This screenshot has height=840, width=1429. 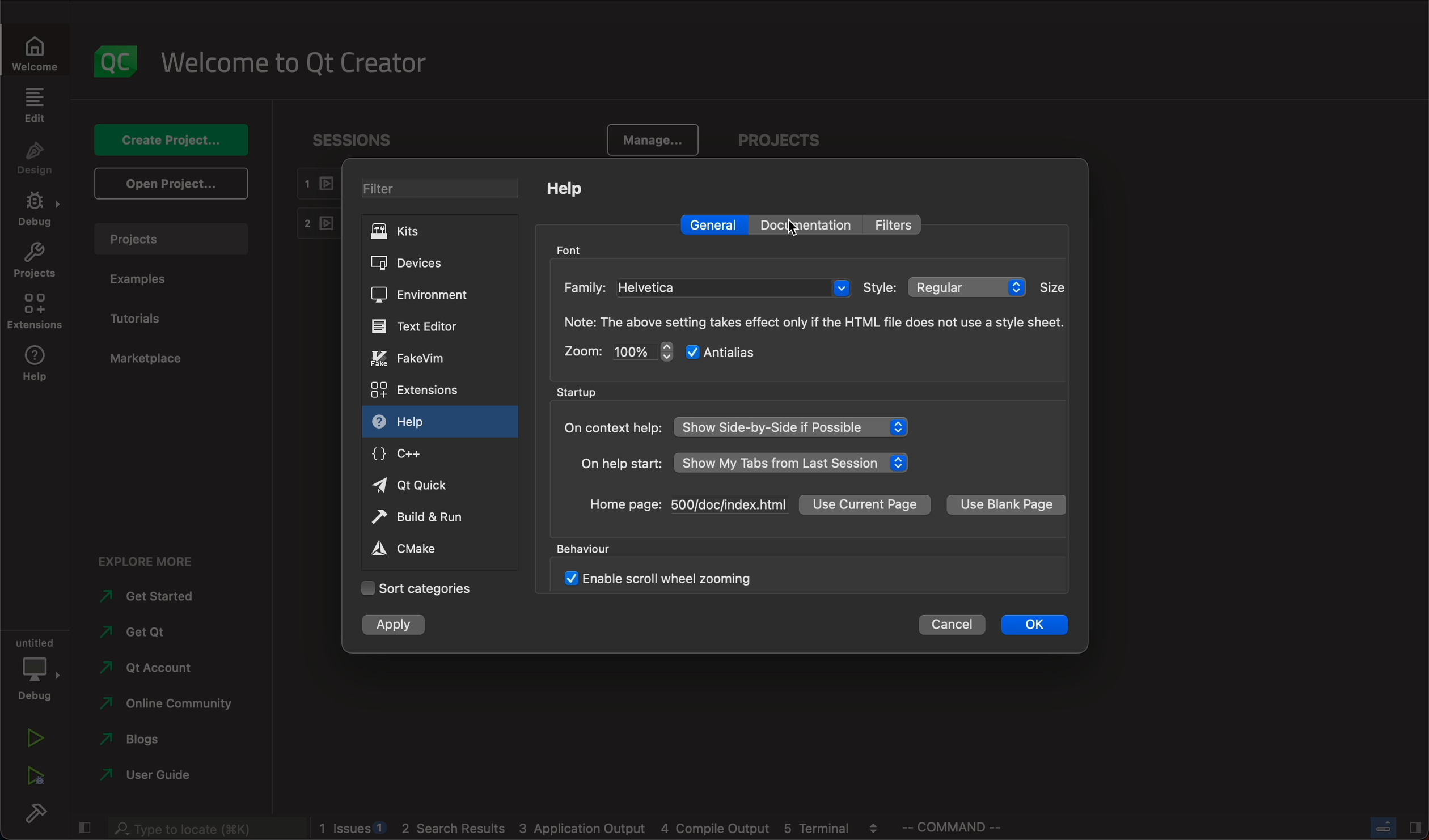 I want to click on logo, so click(x=112, y=63).